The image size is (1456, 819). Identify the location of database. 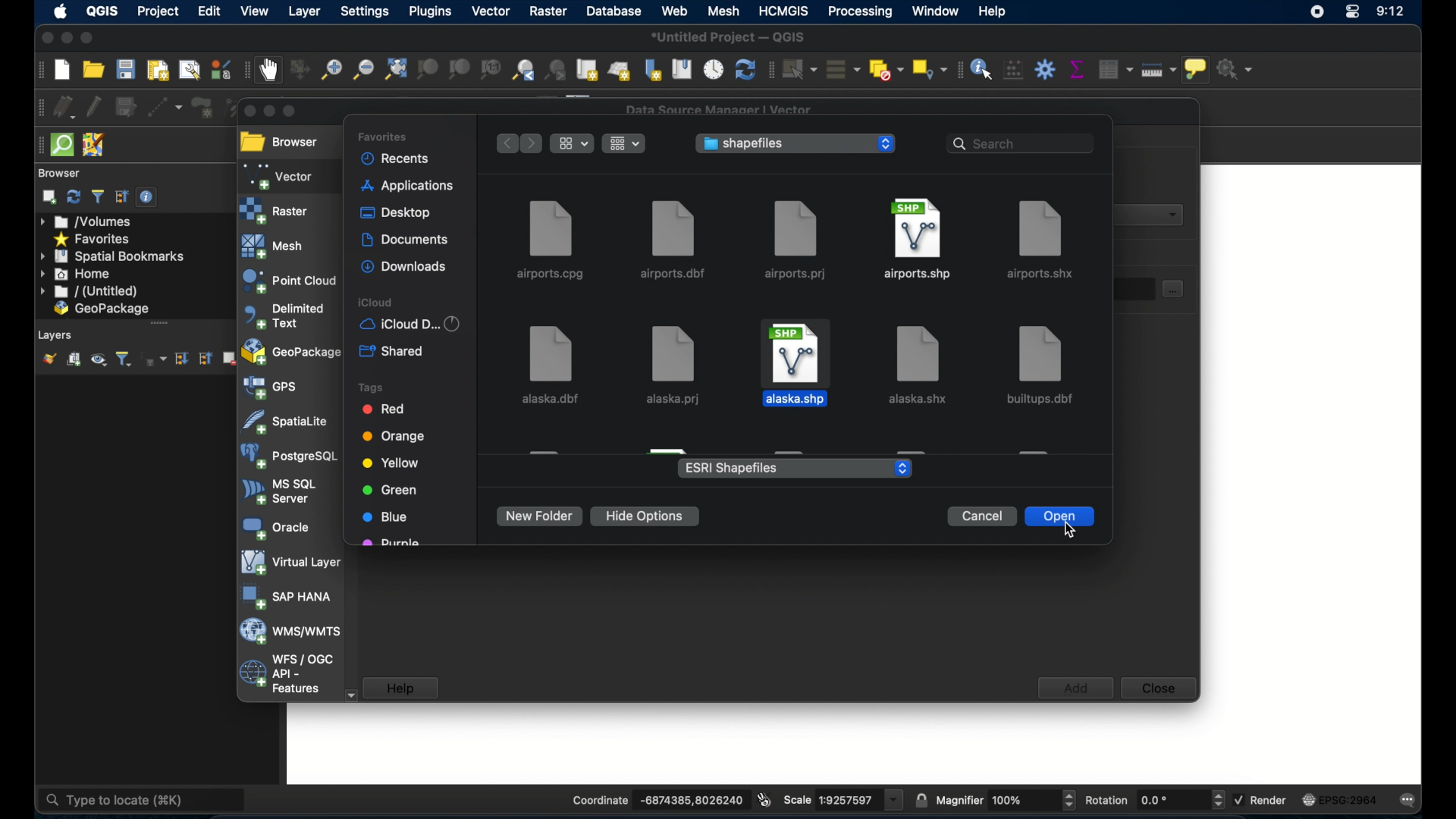
(613, 11).